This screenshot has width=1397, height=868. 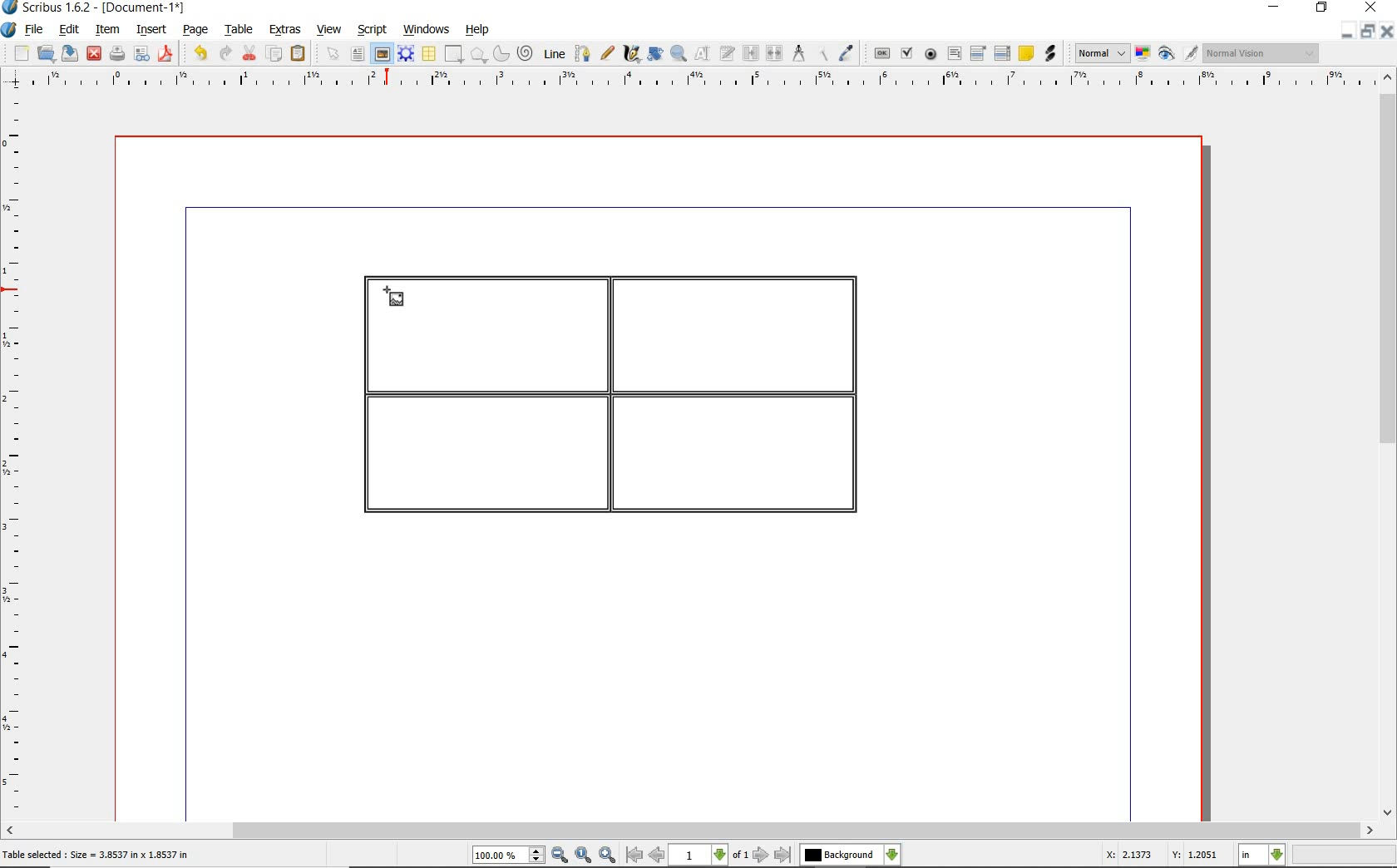 What do you see at coordinates (1002, 53) in the screenshot?
I see `PDF List Box` at bounding box center [1002, 53].